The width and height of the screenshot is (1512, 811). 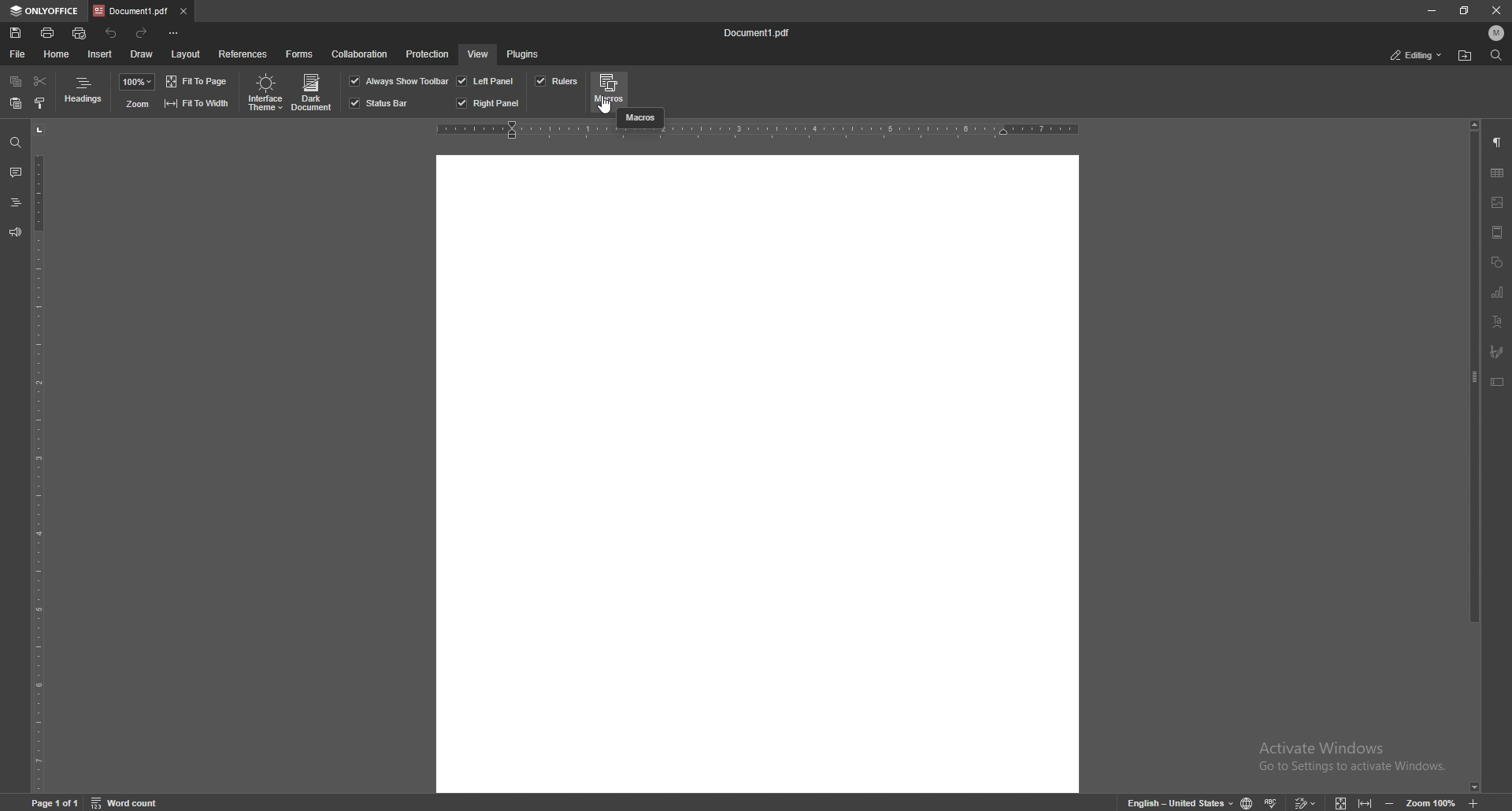 What do you see at coordinates (1497, 231) in the screenshot?
I see `header and footer` at bounding box center [1497, 231].